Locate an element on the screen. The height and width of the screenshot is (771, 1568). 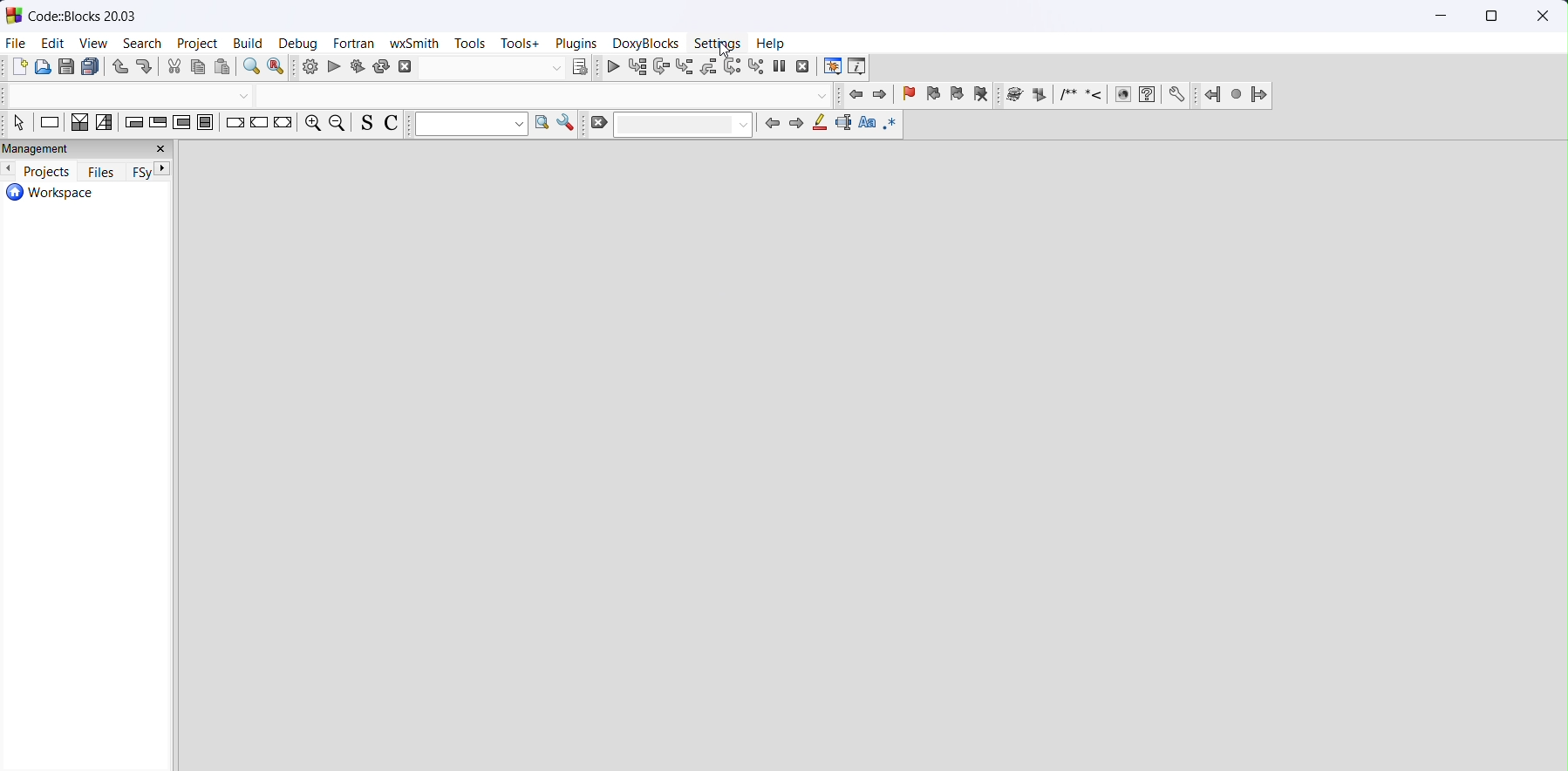
maximize is located at coordinates (1489, 17).